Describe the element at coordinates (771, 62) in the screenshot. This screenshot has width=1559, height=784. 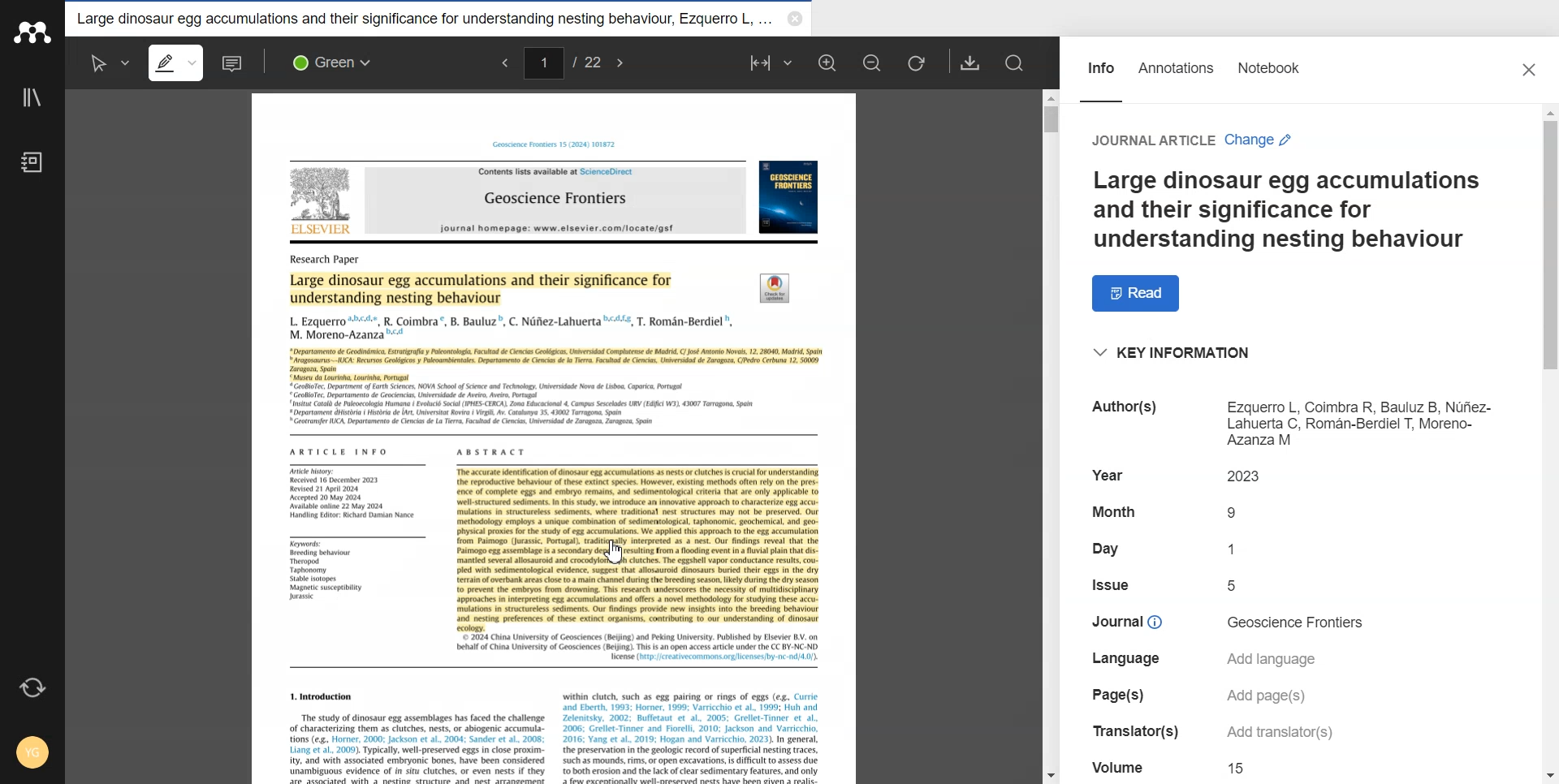
I see `Fit to width` at that location.